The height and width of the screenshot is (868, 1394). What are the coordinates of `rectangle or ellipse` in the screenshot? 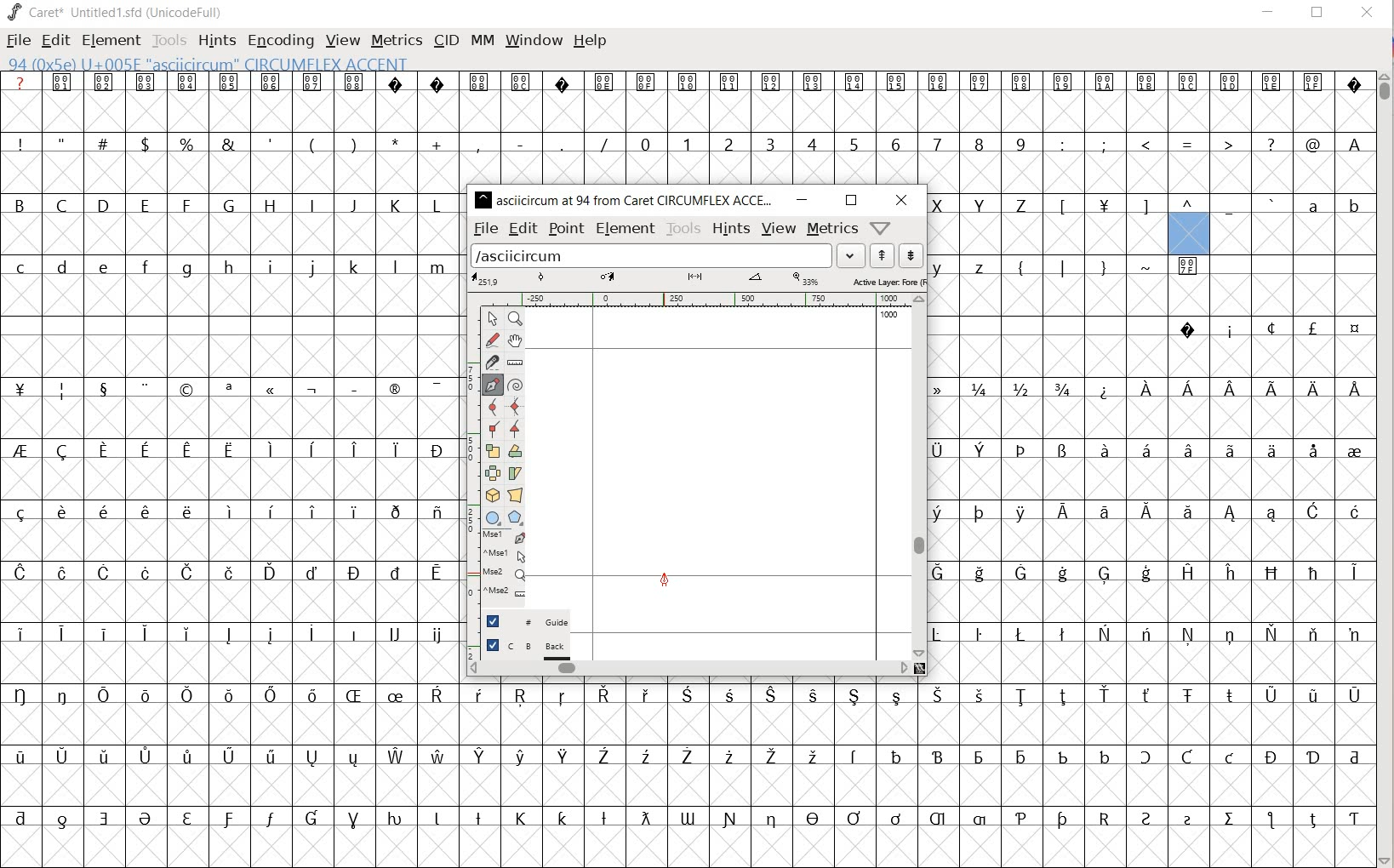 It's located at (494, 517).